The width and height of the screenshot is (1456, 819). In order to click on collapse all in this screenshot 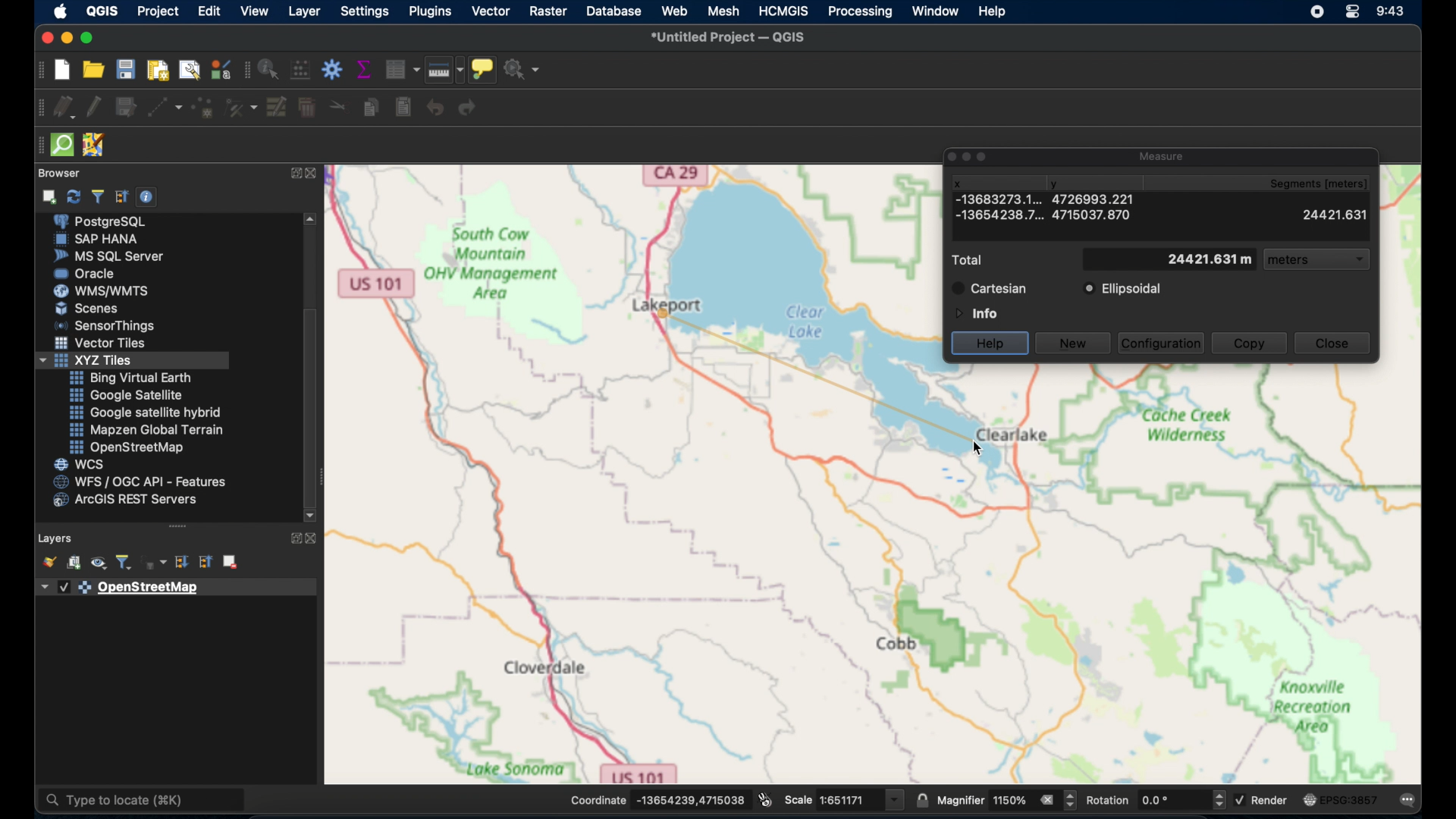, I will do `click(203, 562)`.